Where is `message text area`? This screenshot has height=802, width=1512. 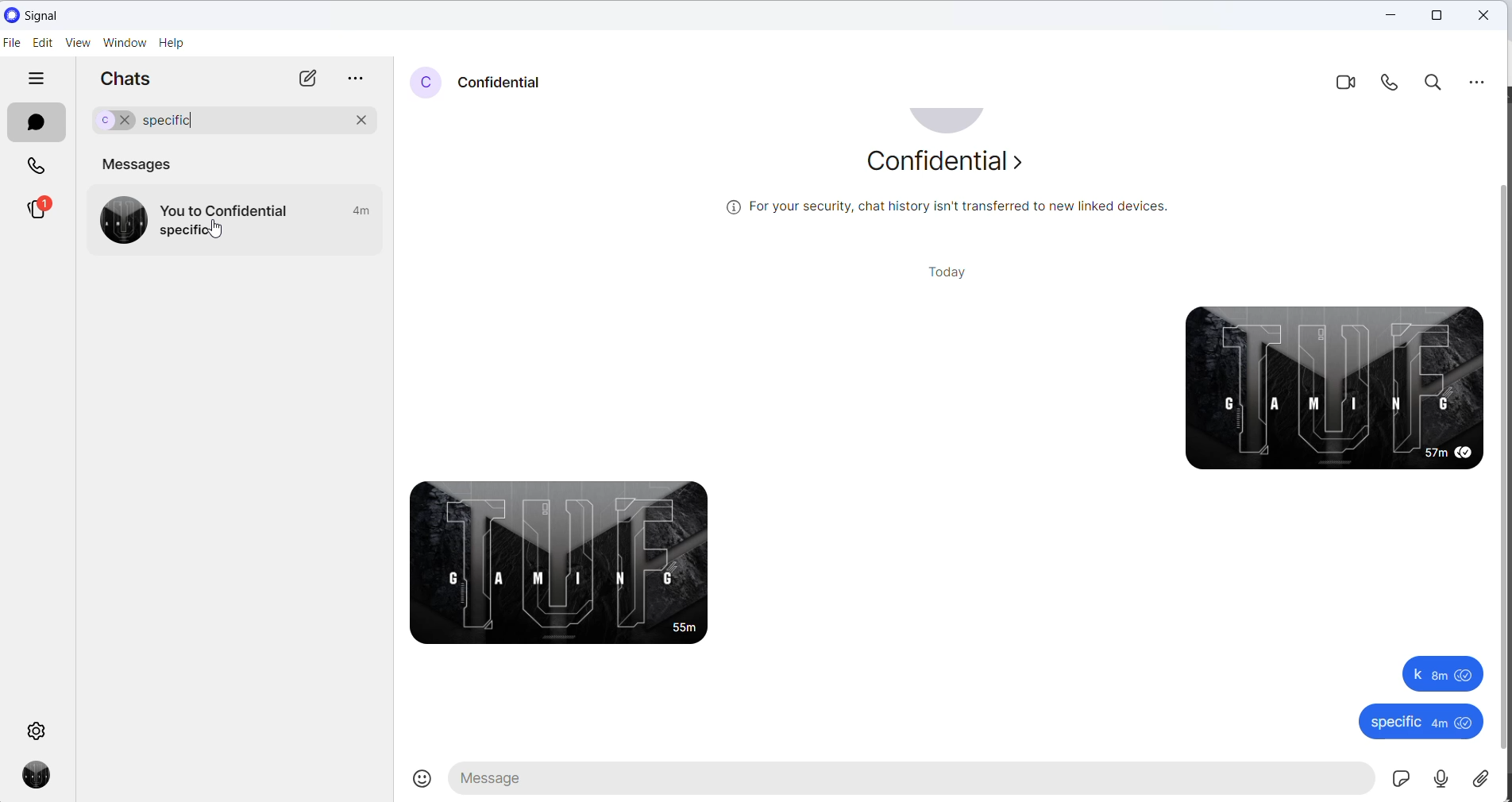 message text area is located at coordinates (904, 782).